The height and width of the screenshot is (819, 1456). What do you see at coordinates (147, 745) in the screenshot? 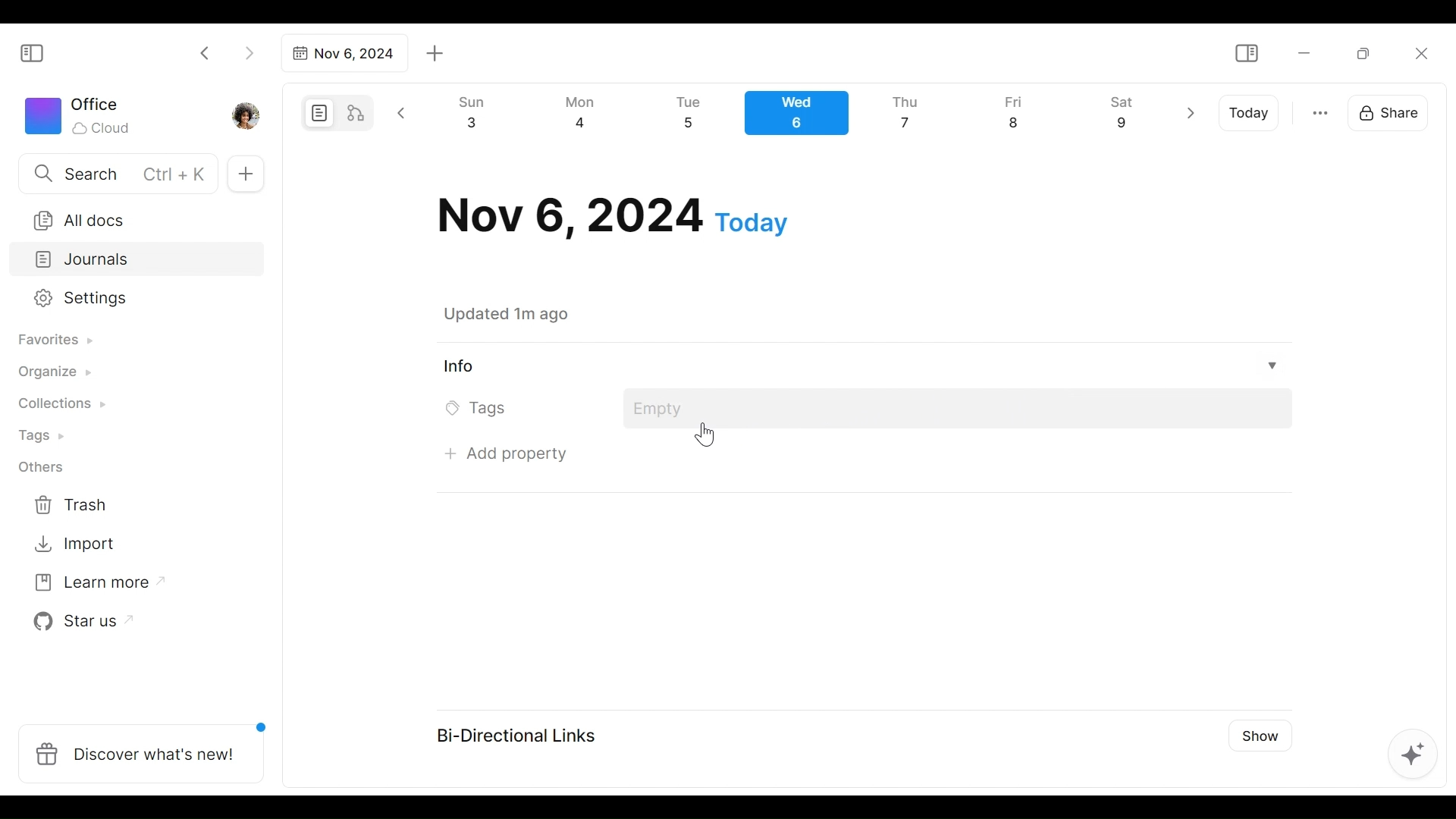
I see `Discover what's new` at bounding box center [147, 745].